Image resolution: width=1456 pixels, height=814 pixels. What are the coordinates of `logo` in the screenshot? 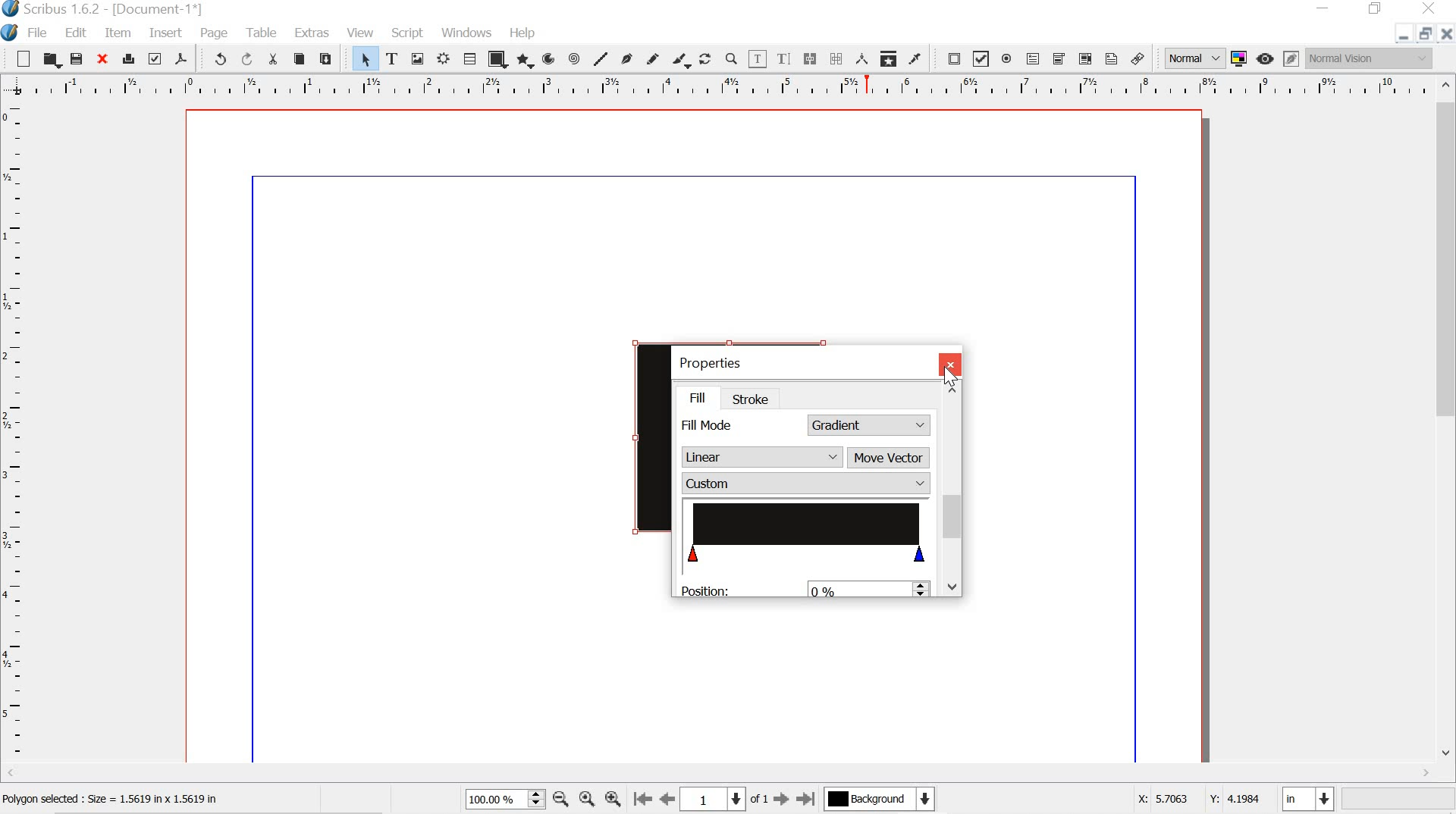 It's located at (10, 31).